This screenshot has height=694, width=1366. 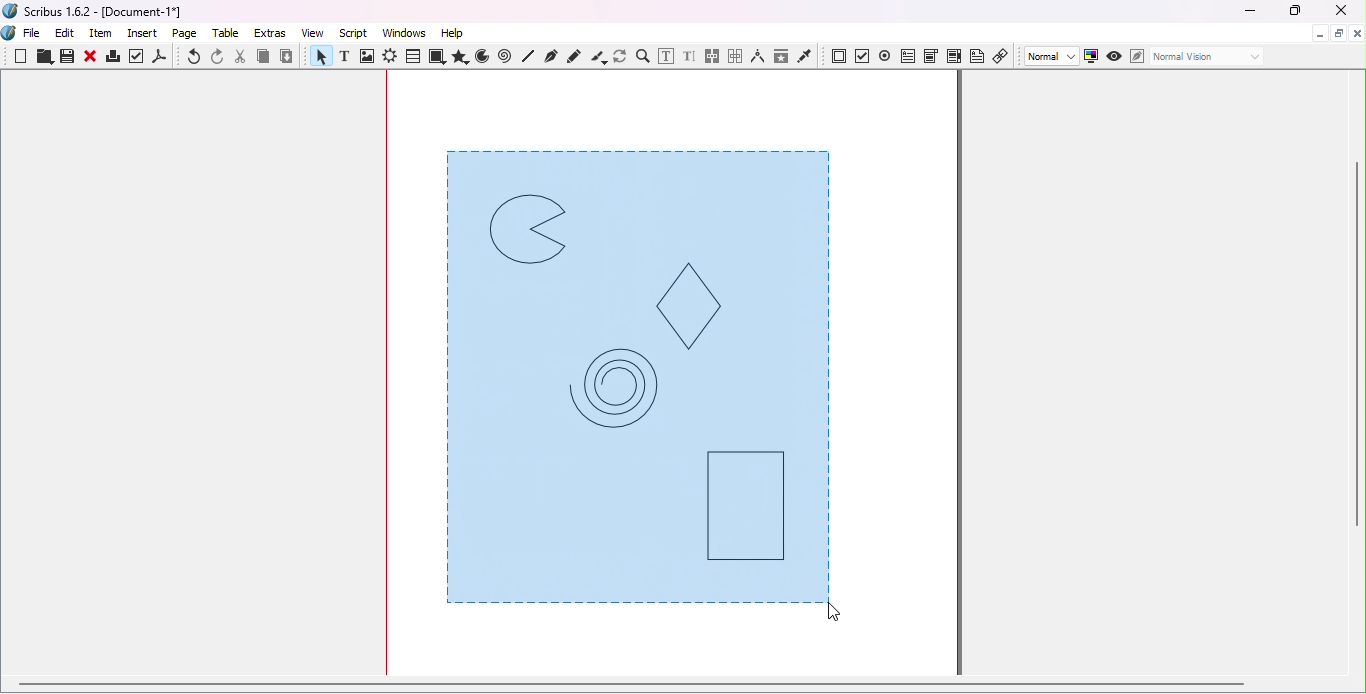 I want to click on PDF list box, so click(x=954, y=56).